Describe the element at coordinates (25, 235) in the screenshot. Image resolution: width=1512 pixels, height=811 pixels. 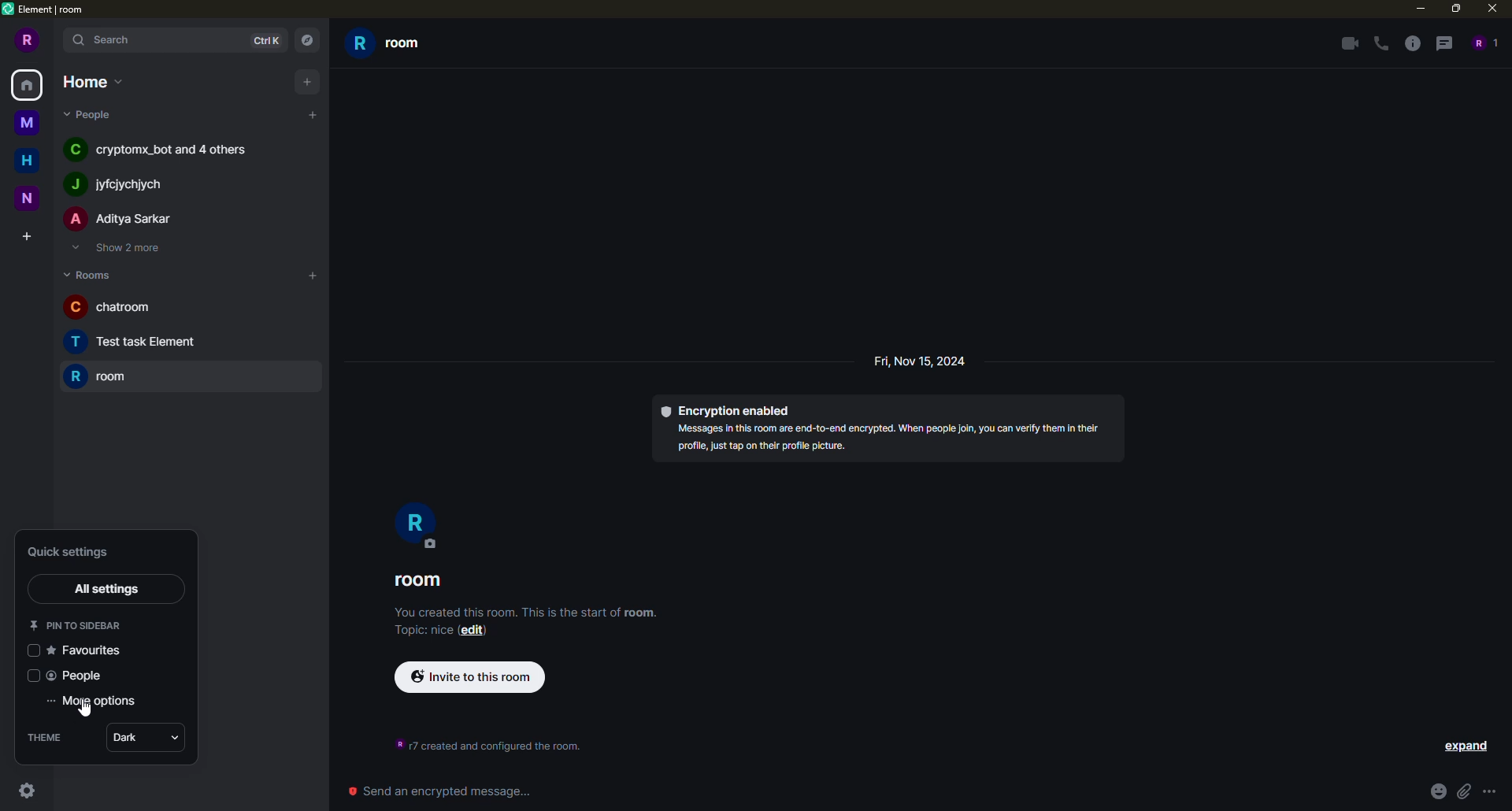
I see `create space` at that location.